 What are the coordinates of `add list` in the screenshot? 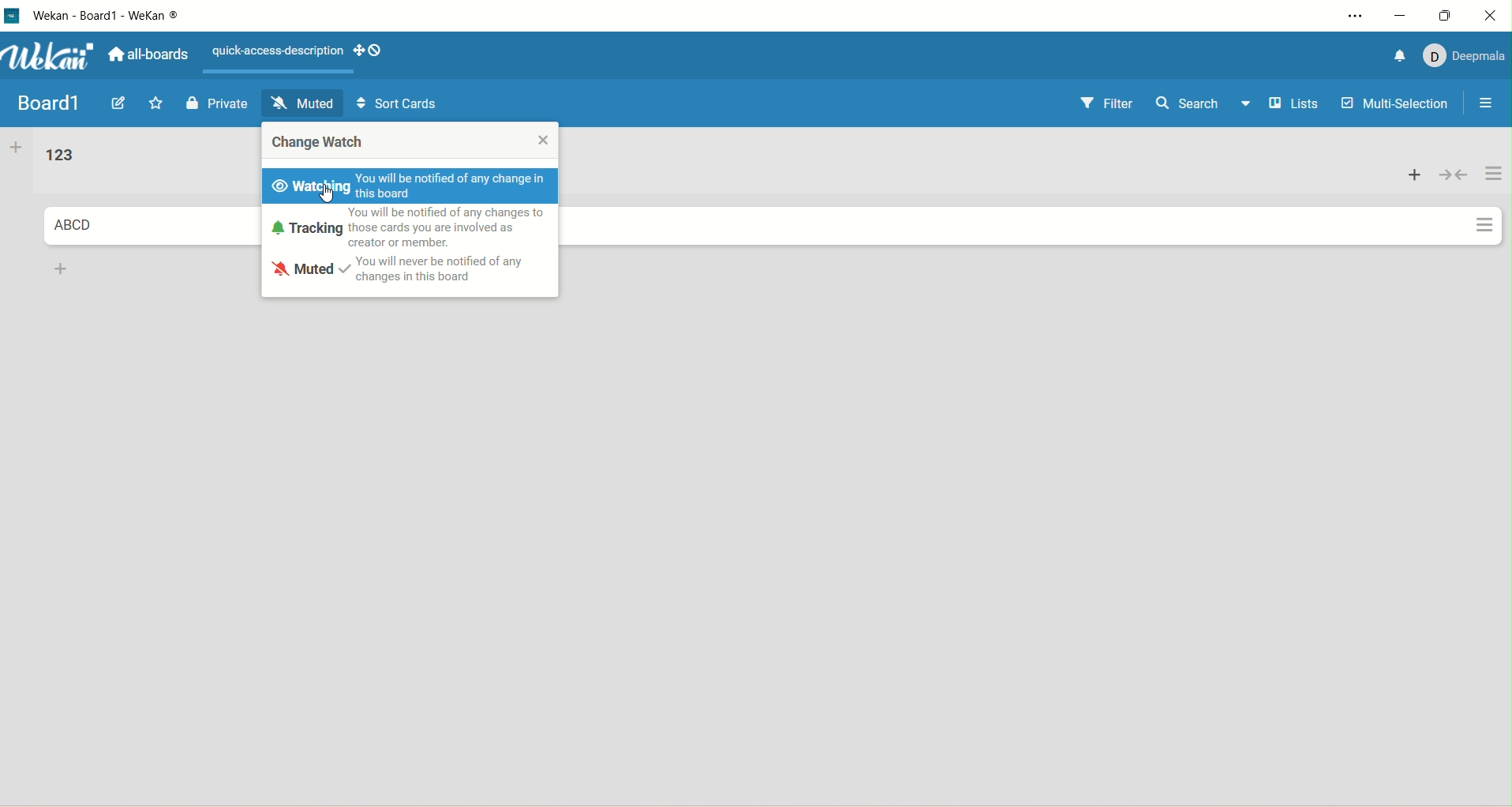 It's located at (16, 149).